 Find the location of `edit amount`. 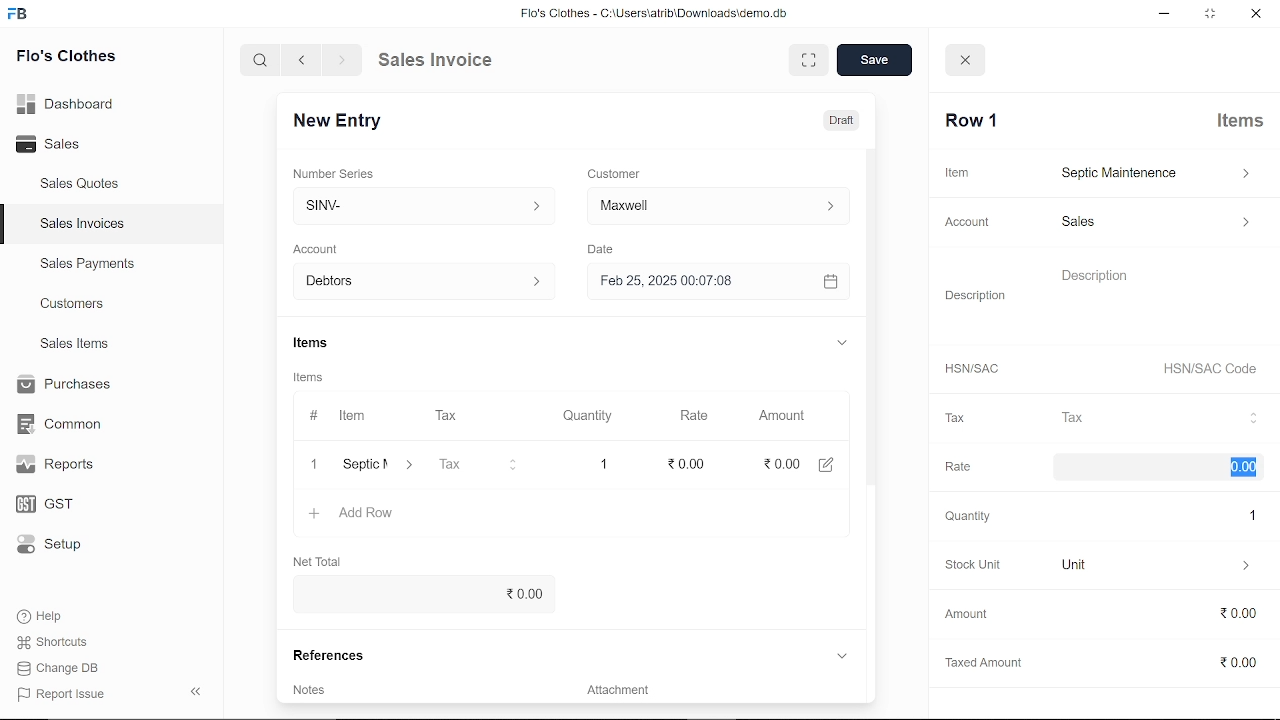

edit amount is located at coordinates (826, 465).